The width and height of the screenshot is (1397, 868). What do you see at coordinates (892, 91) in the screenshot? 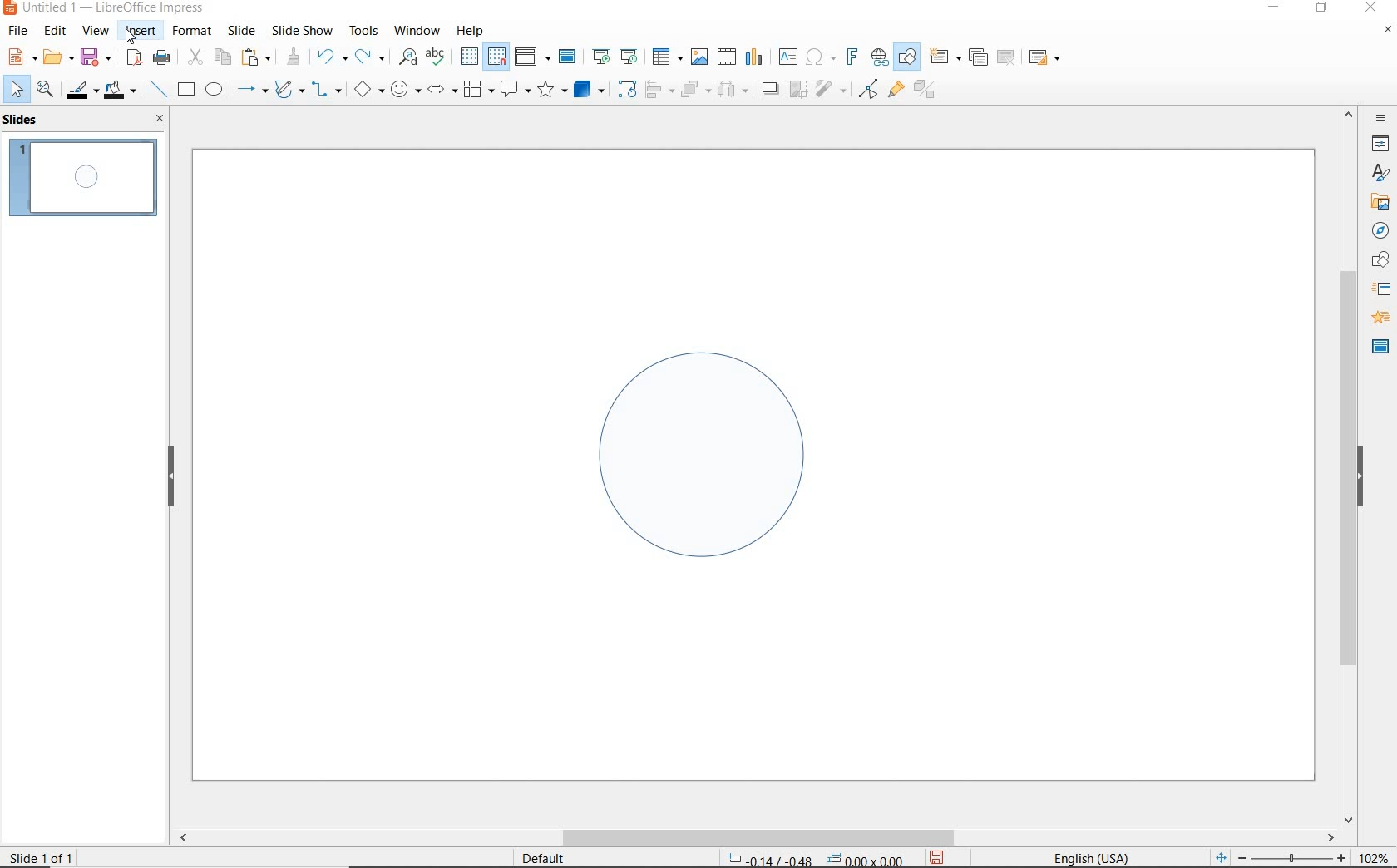
I see `show gluepoint functions` at bounding box center [892, 91].